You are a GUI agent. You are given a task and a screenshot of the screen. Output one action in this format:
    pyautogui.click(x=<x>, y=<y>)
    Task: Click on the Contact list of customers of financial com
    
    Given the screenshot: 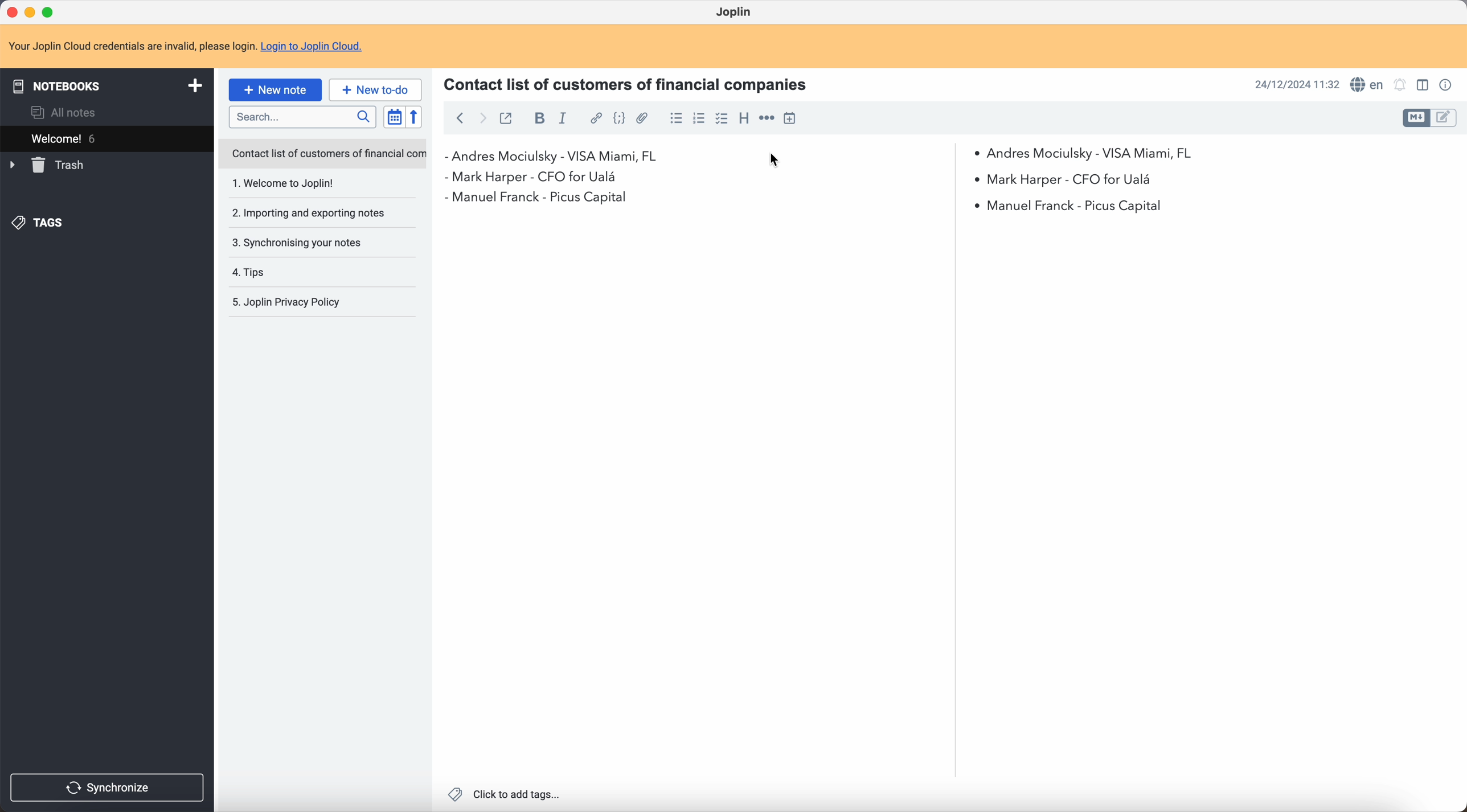 What is the action you would take?
    pyautogui.click(x=327, y=154)
    